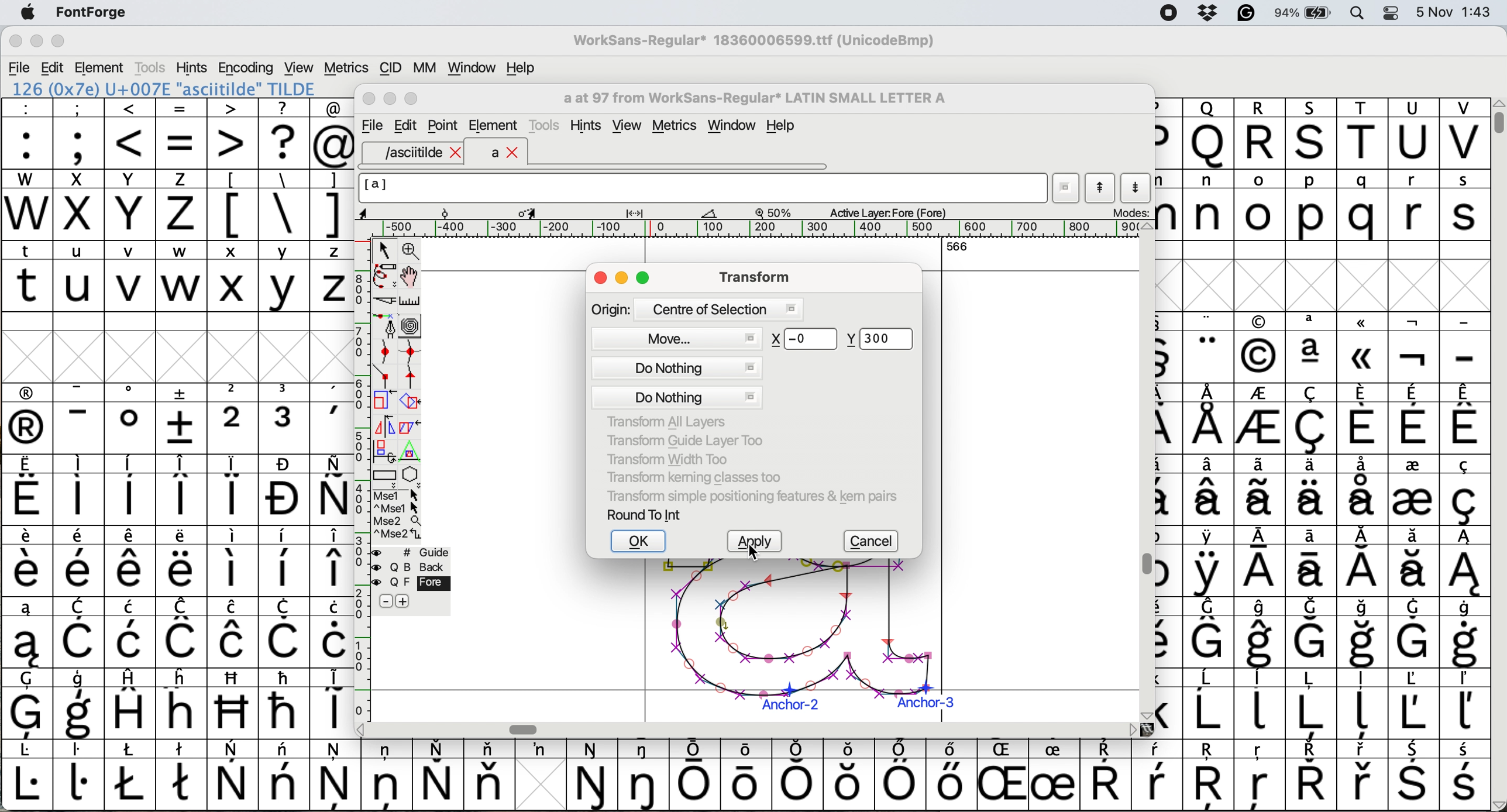 This screenshot has width=1507, height=812. Describe the element at coordinates (80, 419) in the screenshot. I see `symbol` at that location.